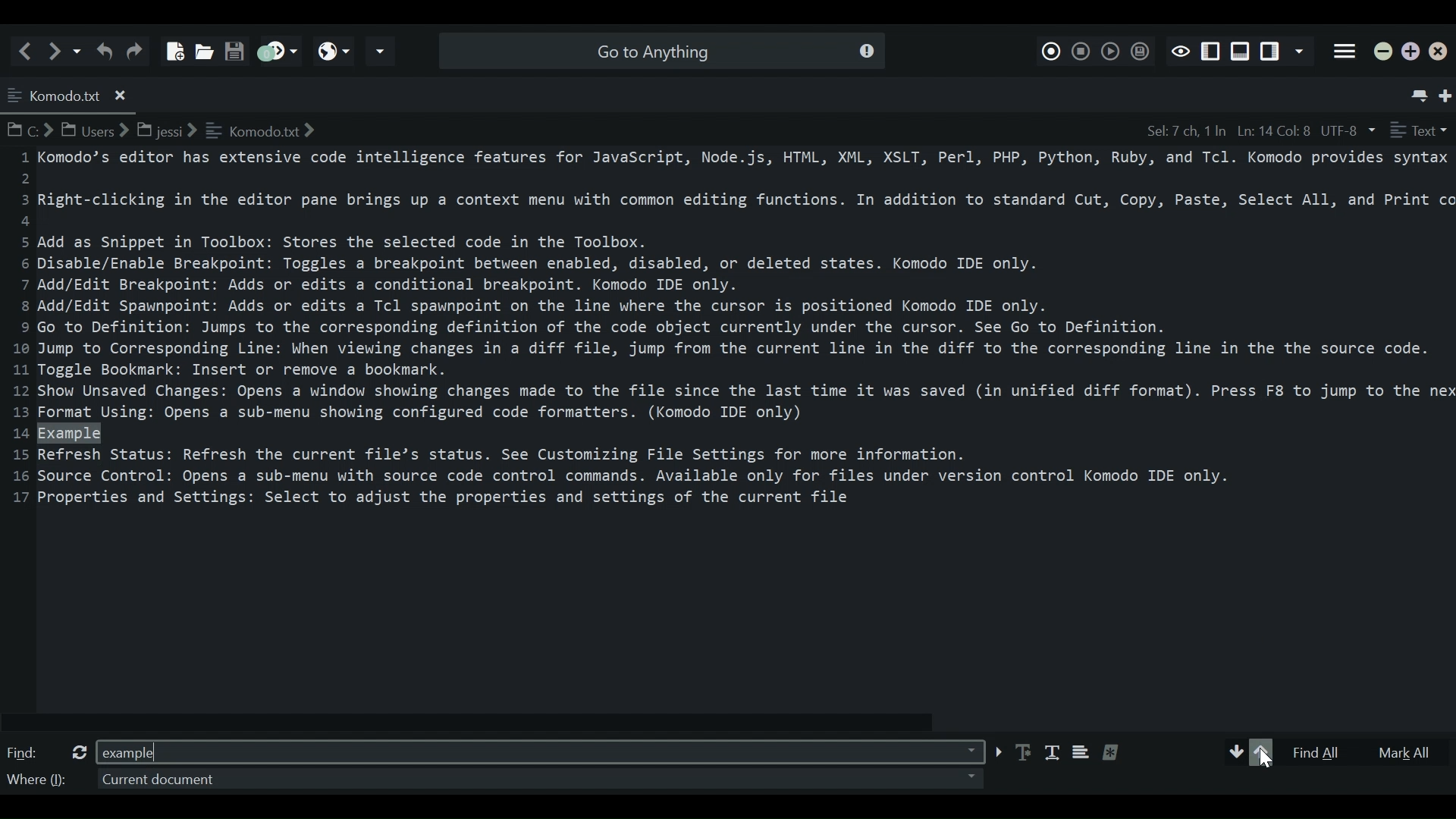 The height and width of the screenshot is (819, 1456). I want to click on Mark All, so click(1405, 752).